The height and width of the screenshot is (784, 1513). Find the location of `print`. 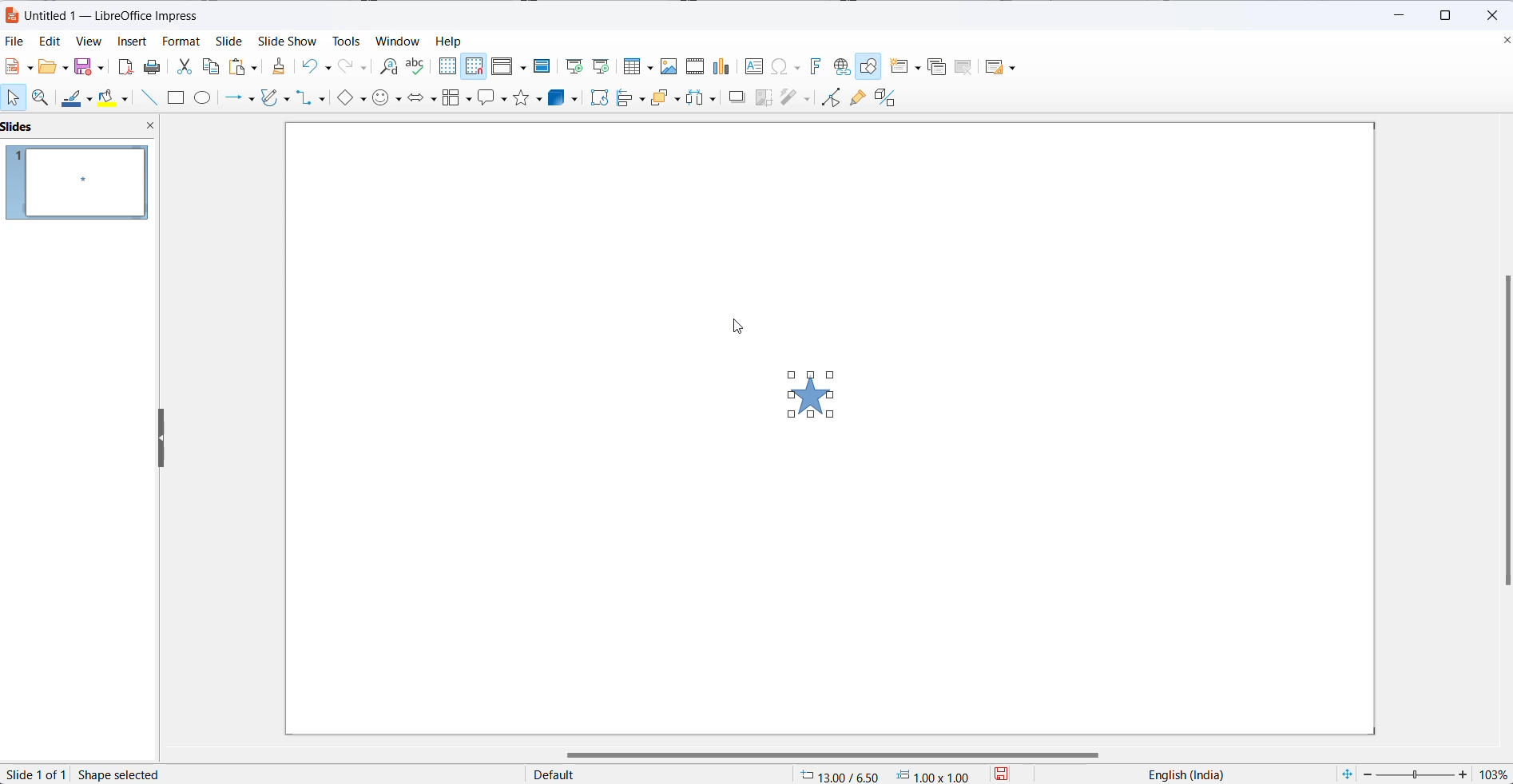

print is located at coordinates (155, 66).